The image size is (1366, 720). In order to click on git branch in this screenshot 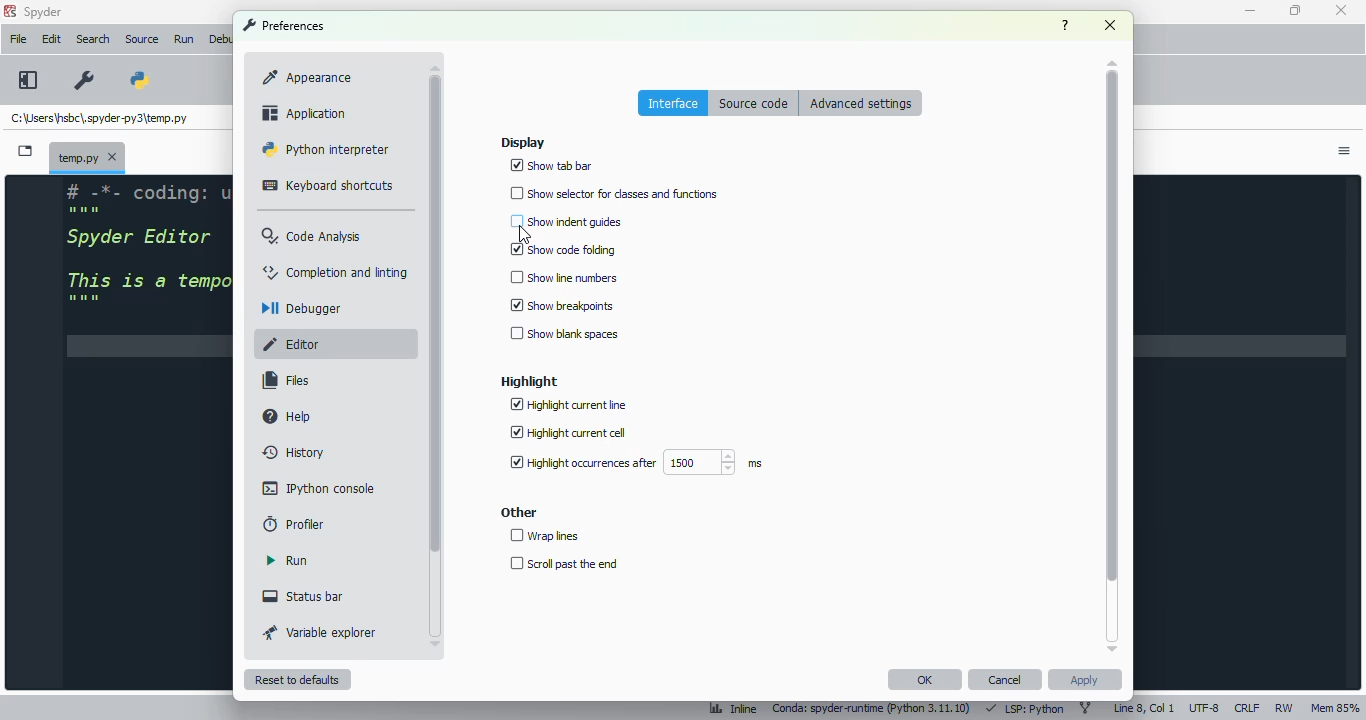, I will do `click(1086, 710)`.